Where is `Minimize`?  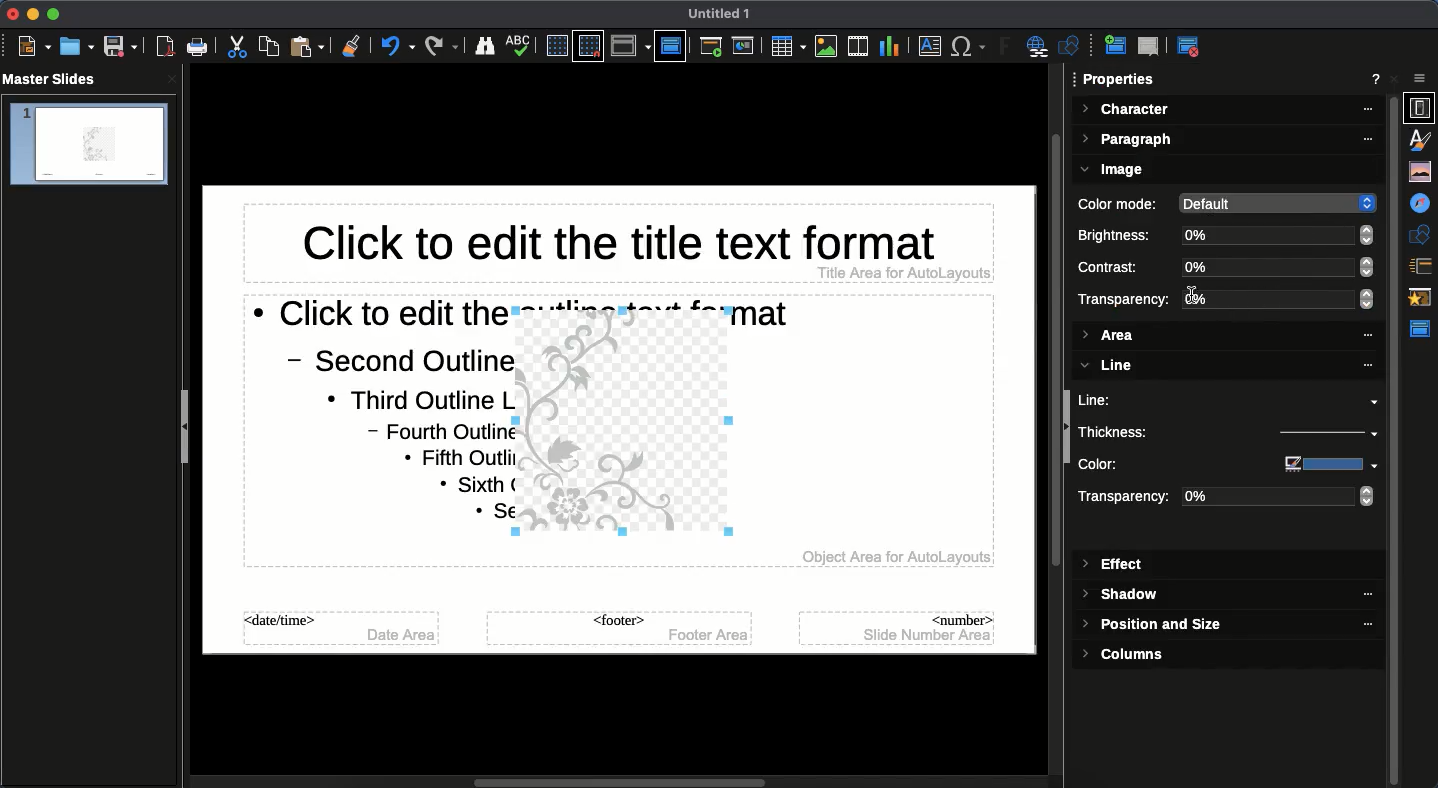 Minimize is located at coordinates (30, 14).